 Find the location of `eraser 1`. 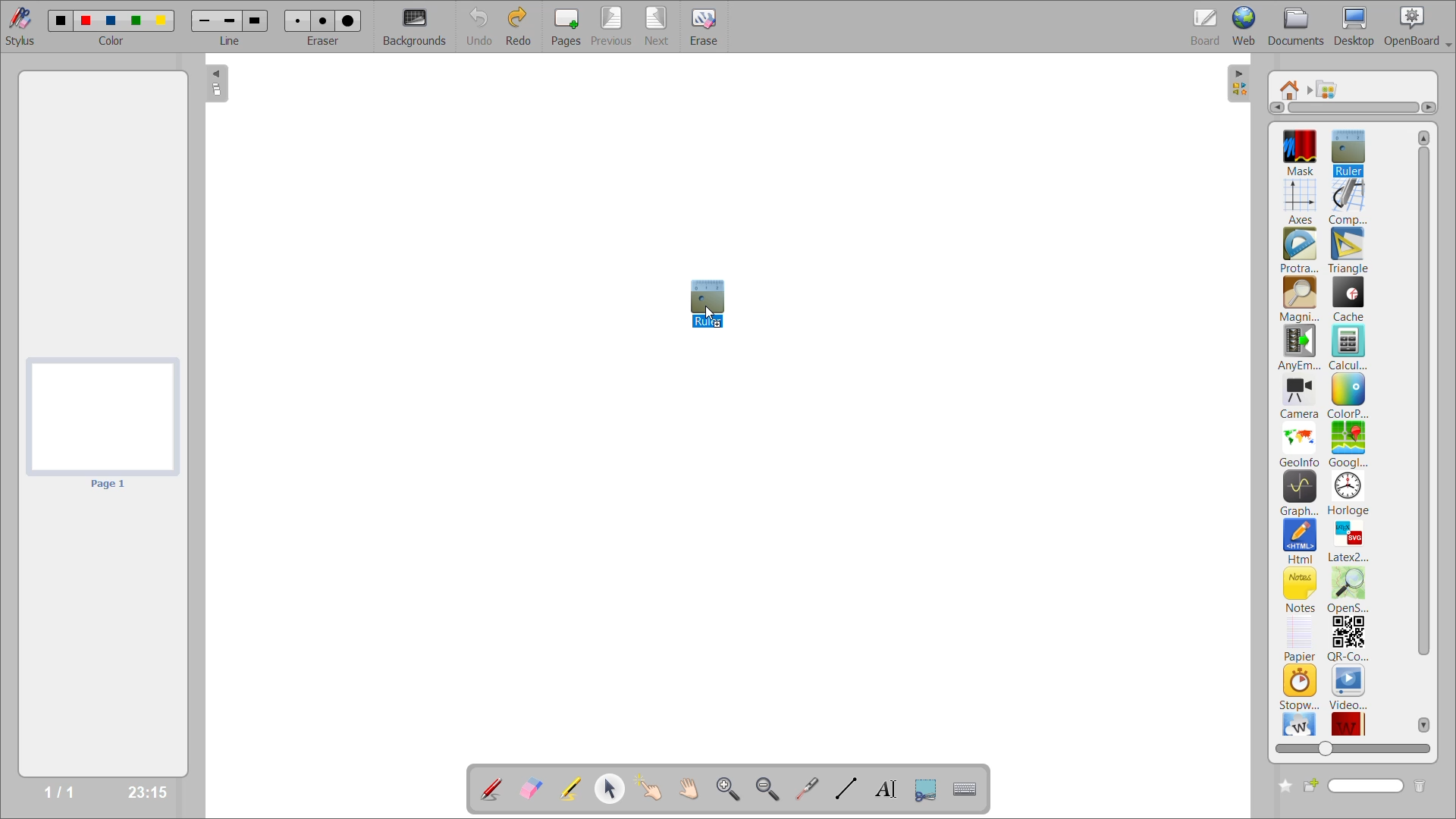

eraser 1 is located at coordinates (298, 20).